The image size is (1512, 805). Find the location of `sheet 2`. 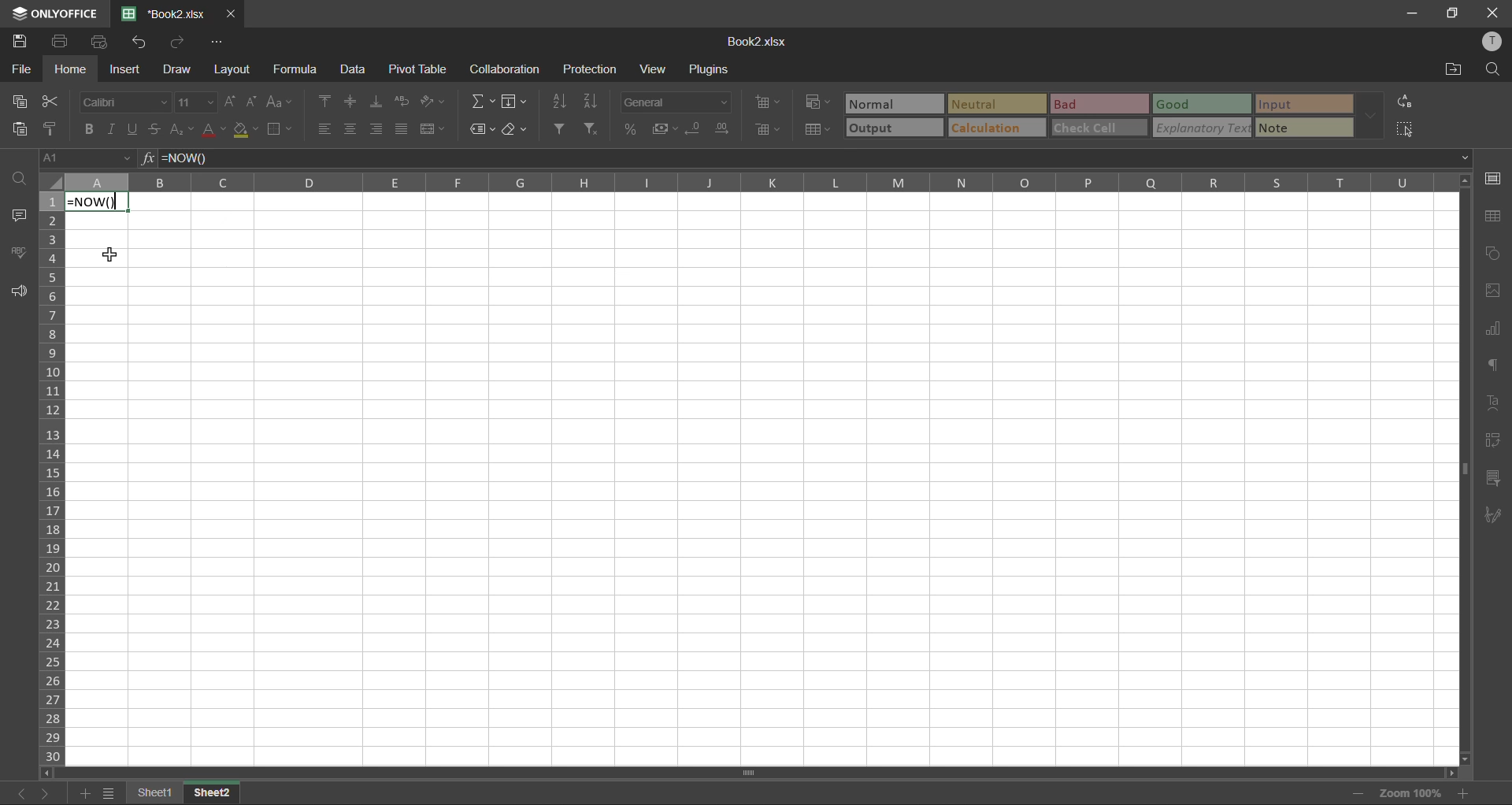

sheet 2 is located at coordinates (212, 792).